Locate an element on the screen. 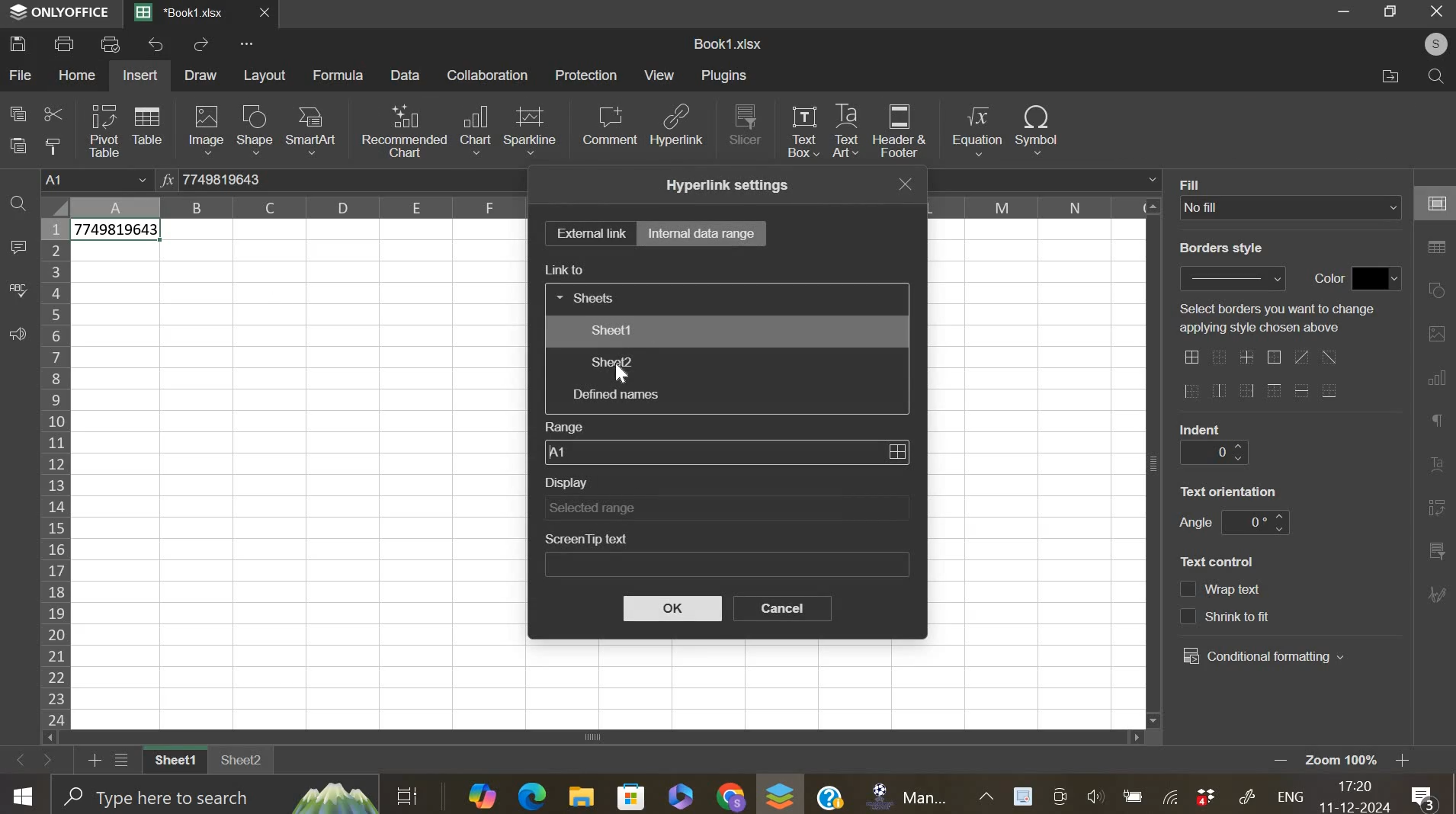  cursor is located at coordinates (624, 374).